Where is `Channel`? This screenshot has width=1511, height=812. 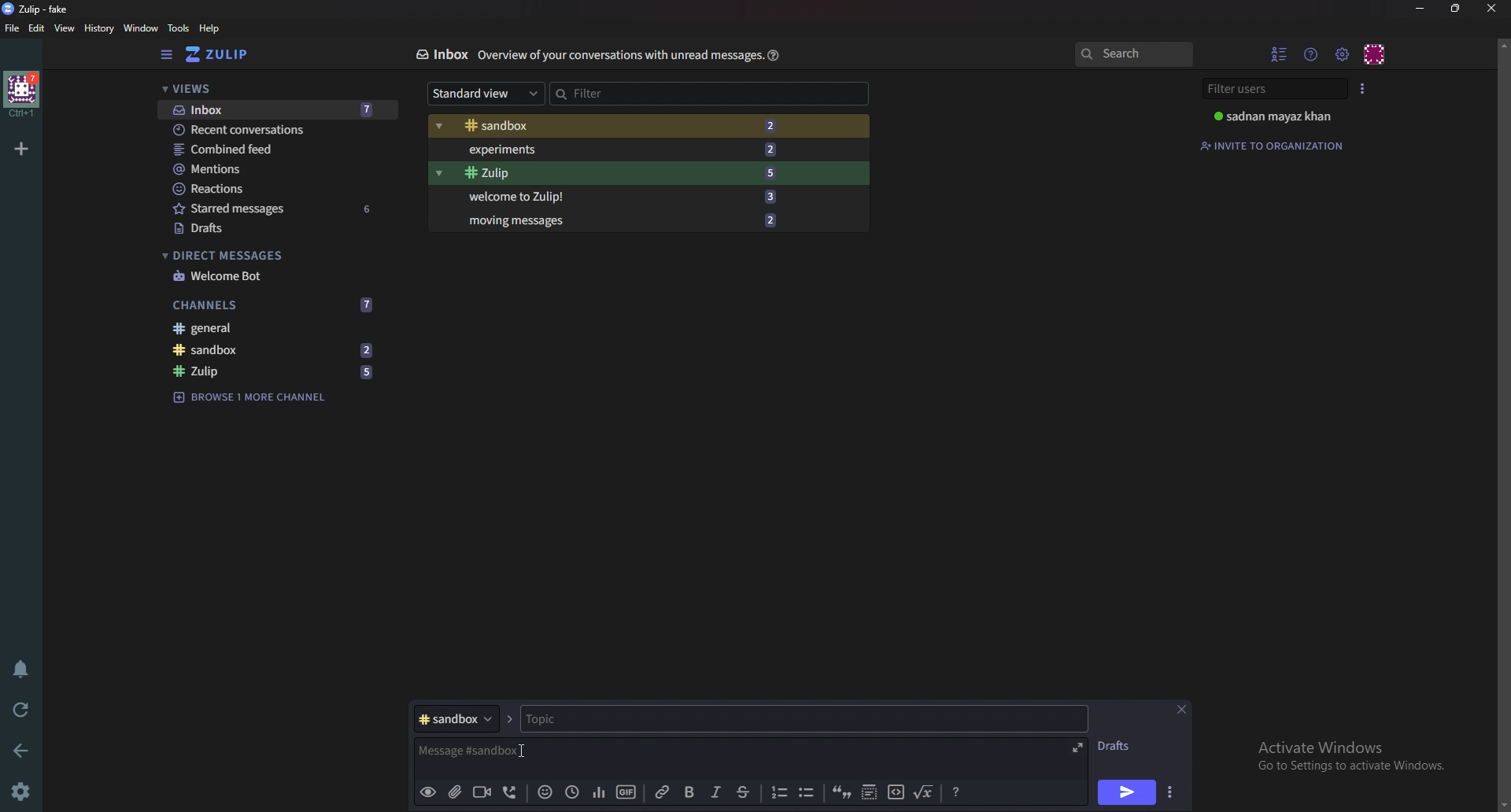
Channel is located at coordinates (455, 719).